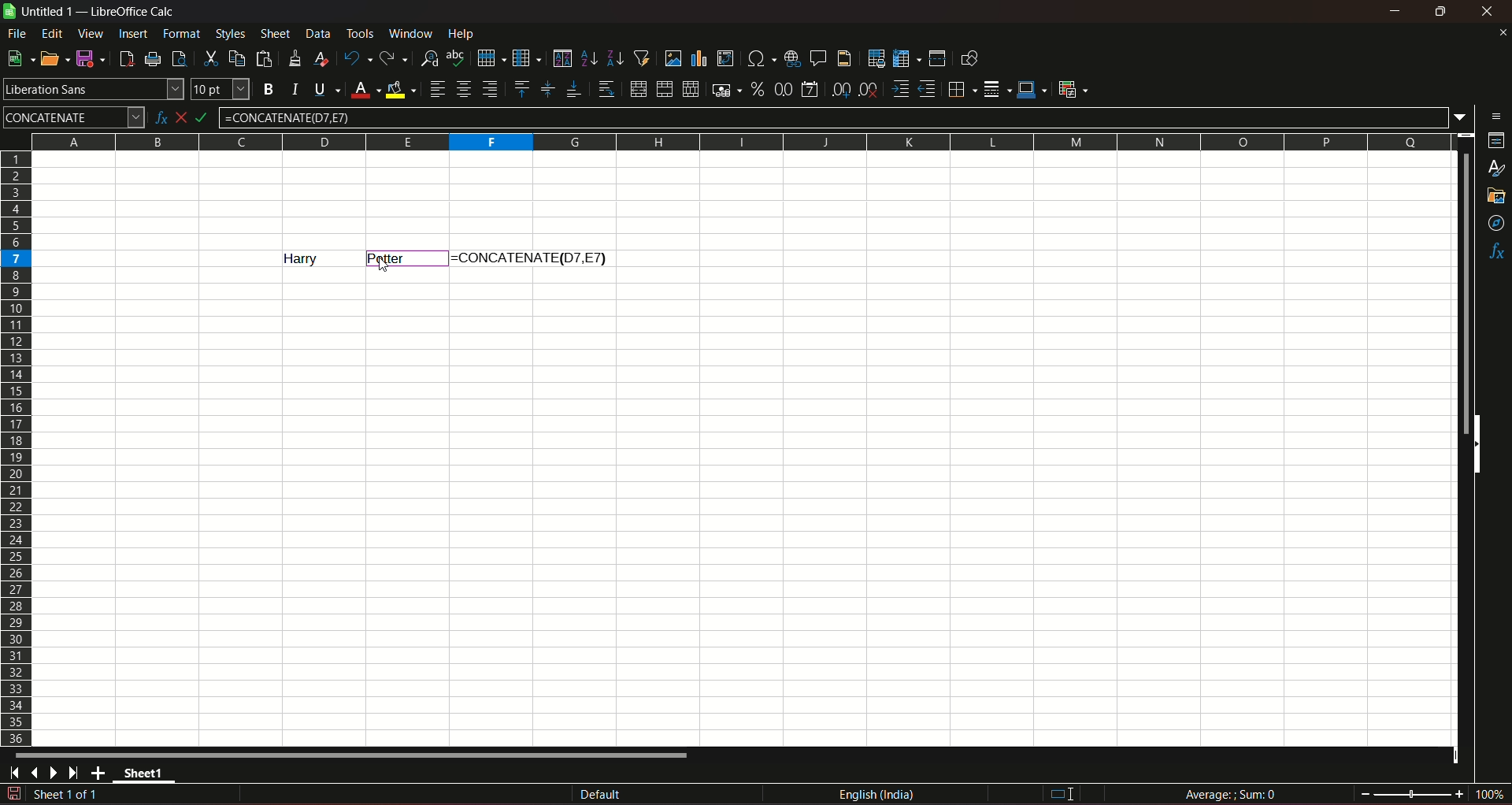 The width and height of the screenshot is (1512, 805). I want to click on sheet, so click(276, 34).